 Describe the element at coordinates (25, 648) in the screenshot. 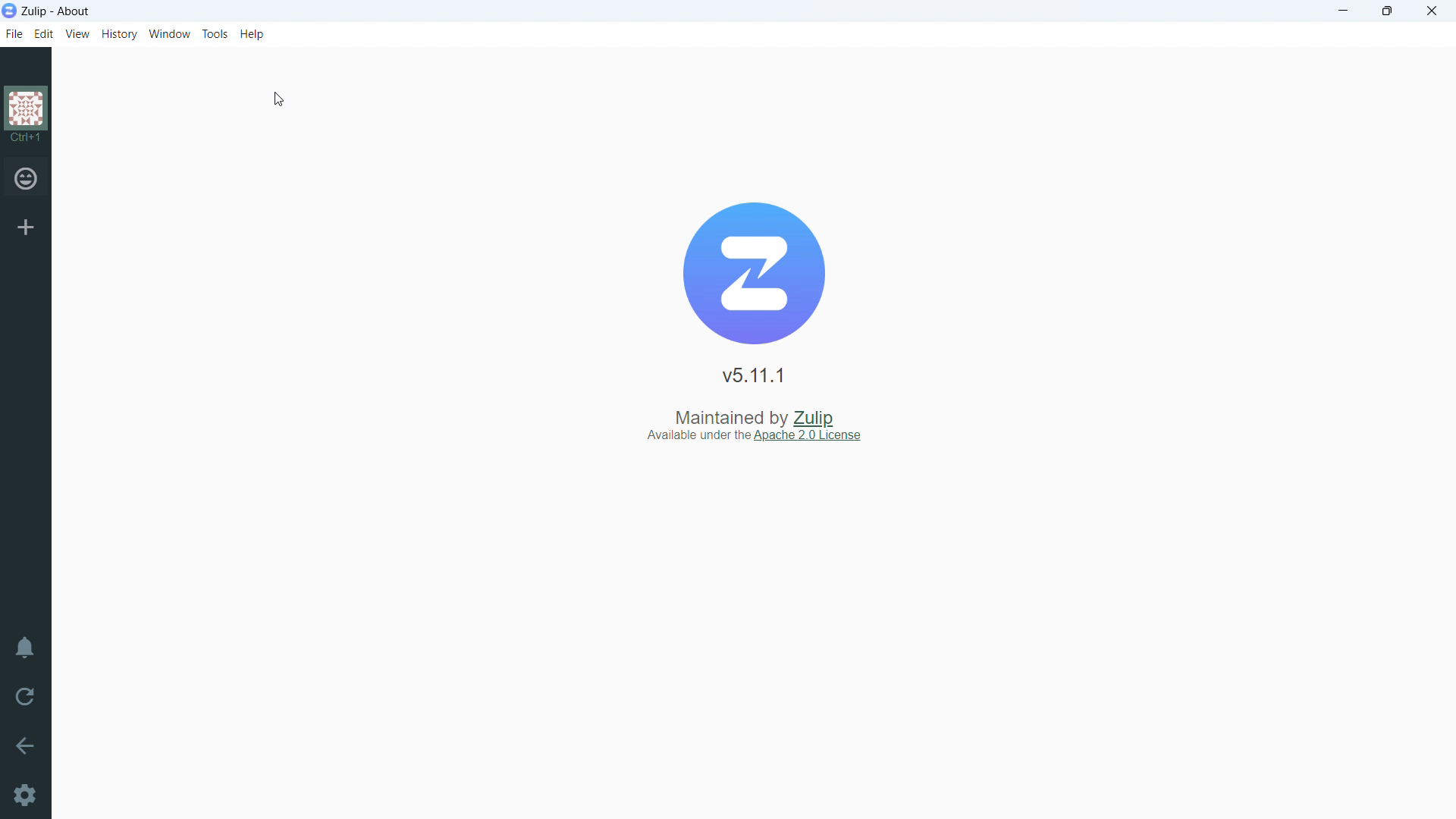

I see `enable do not disturb` at that location.